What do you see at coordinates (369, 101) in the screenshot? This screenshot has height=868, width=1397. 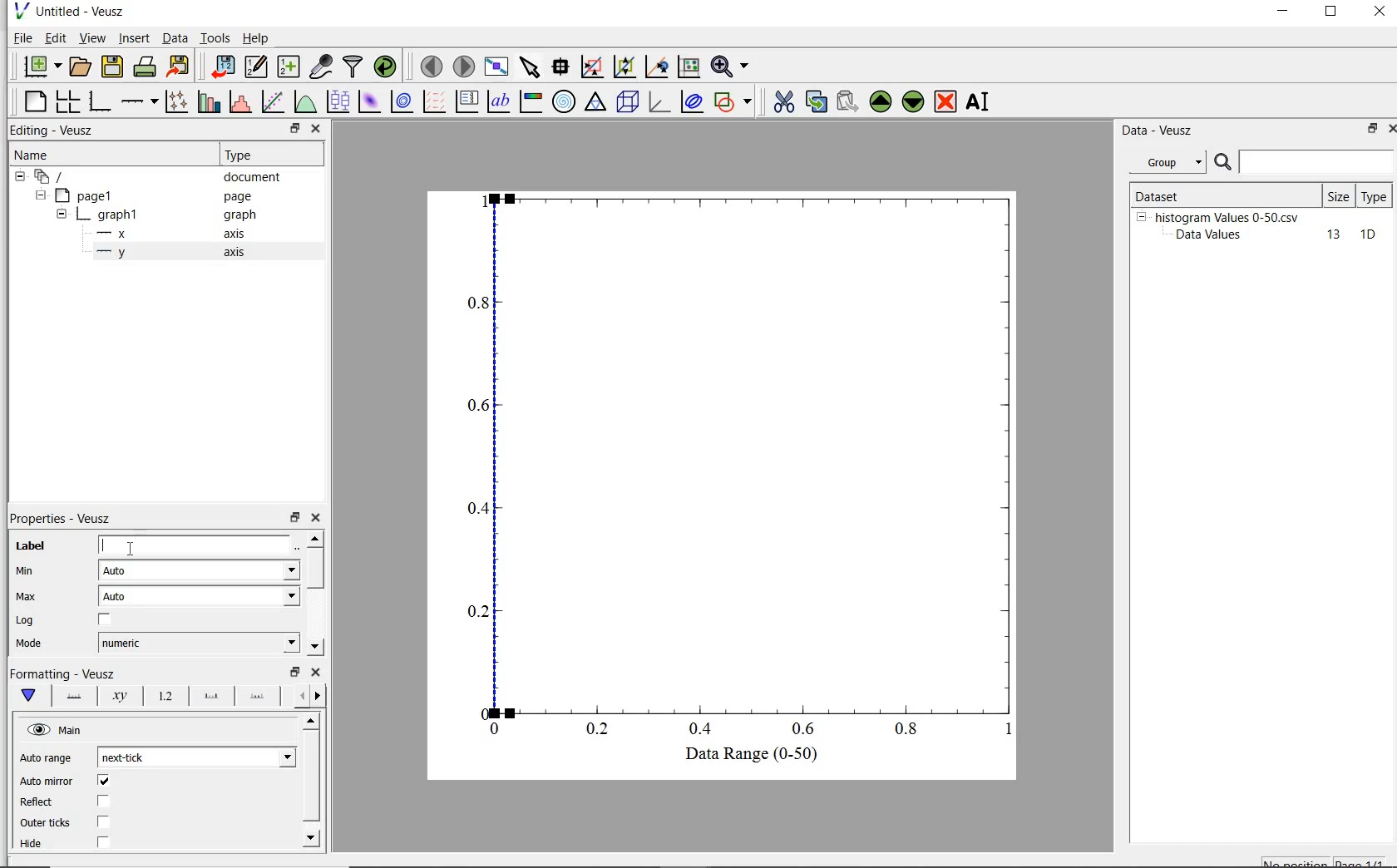 I see `plot 2d dataset as an image` at bounding box center [369, 101].